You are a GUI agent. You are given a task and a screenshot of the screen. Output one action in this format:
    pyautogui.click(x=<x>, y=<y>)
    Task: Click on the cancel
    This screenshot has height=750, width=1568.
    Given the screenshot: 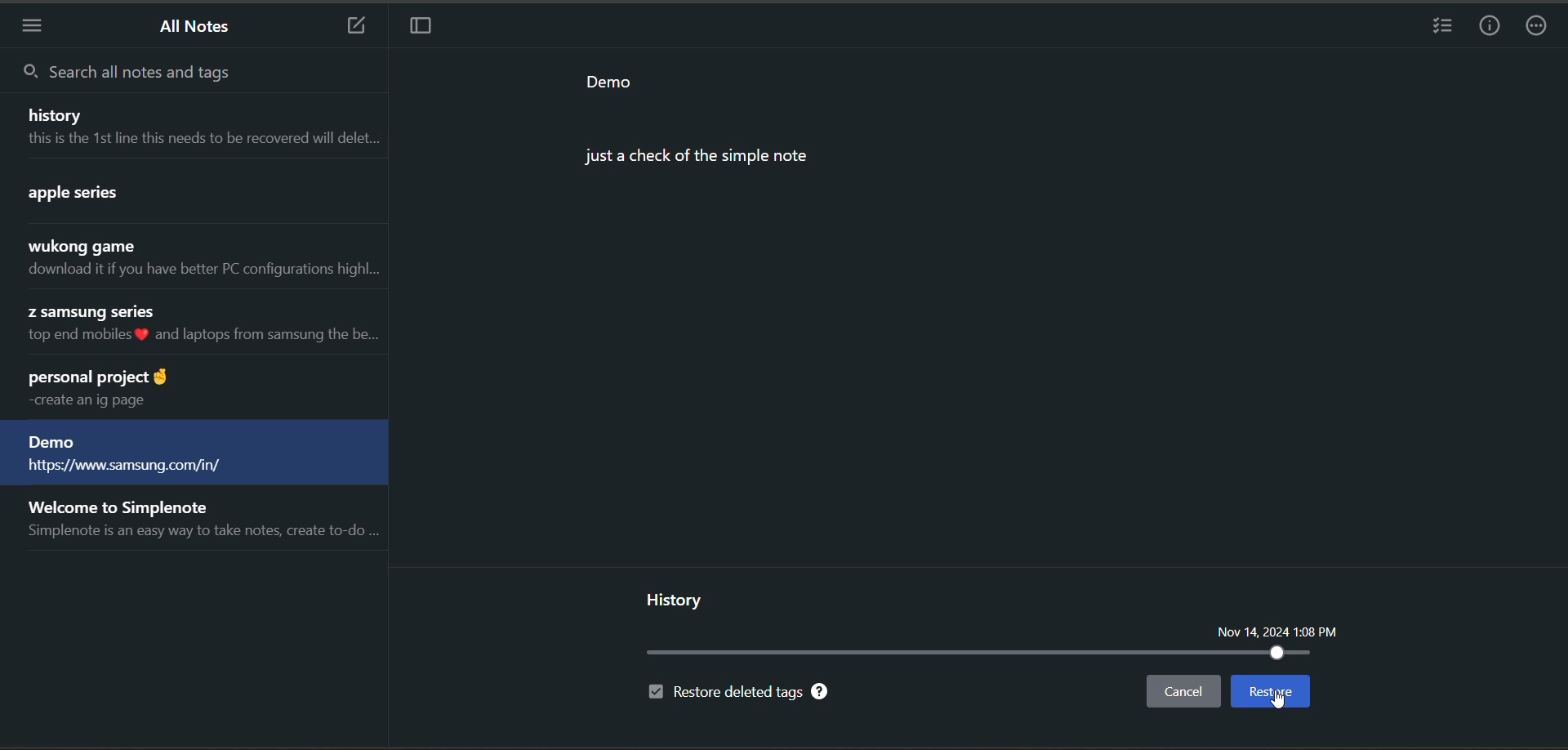 What is the action you would take?
    pyautogui.click(x=1182, y=694)
    